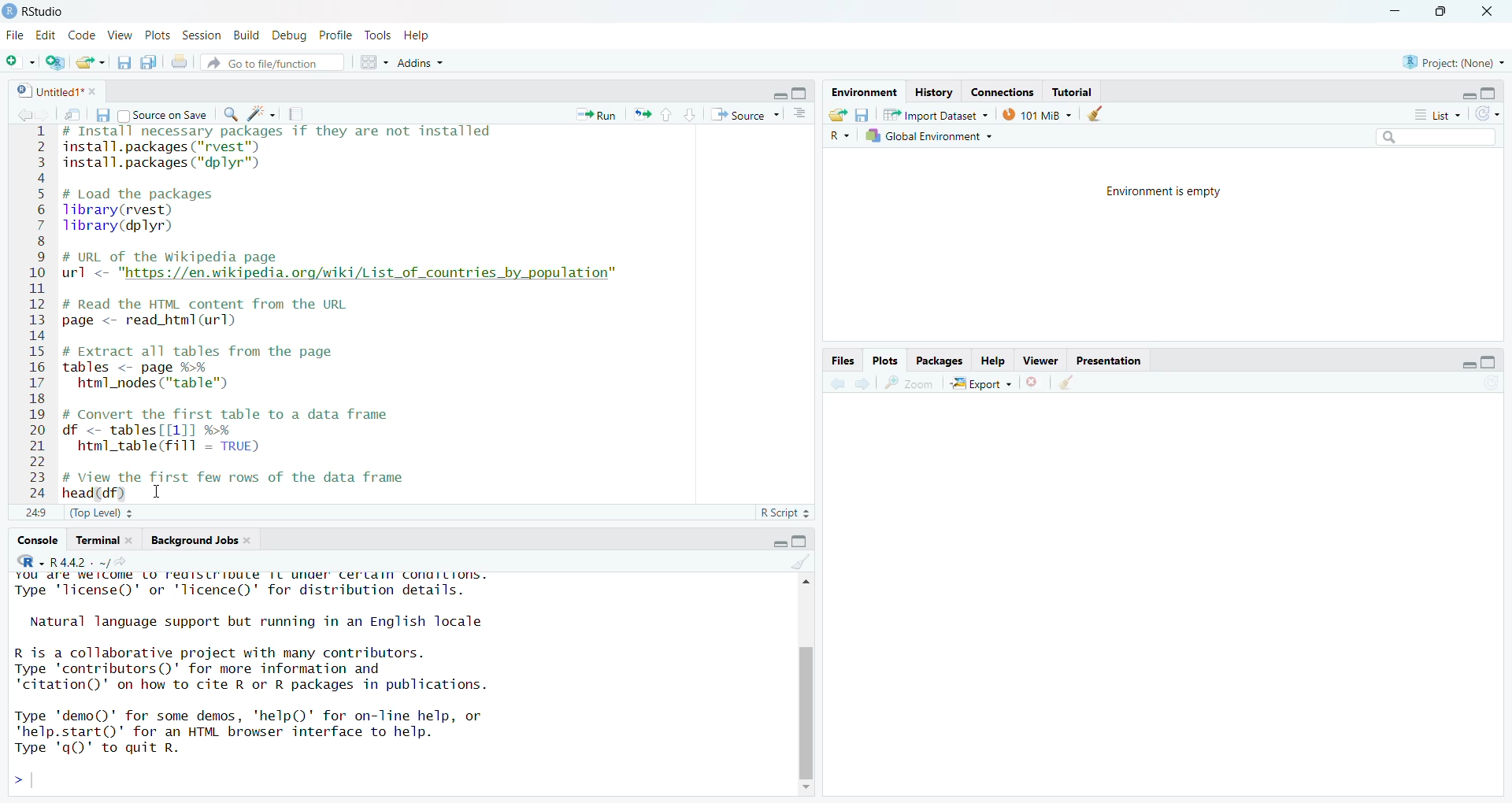 This screenshot has width=1512, height=803. I want to click on clear, so click(801, 561).